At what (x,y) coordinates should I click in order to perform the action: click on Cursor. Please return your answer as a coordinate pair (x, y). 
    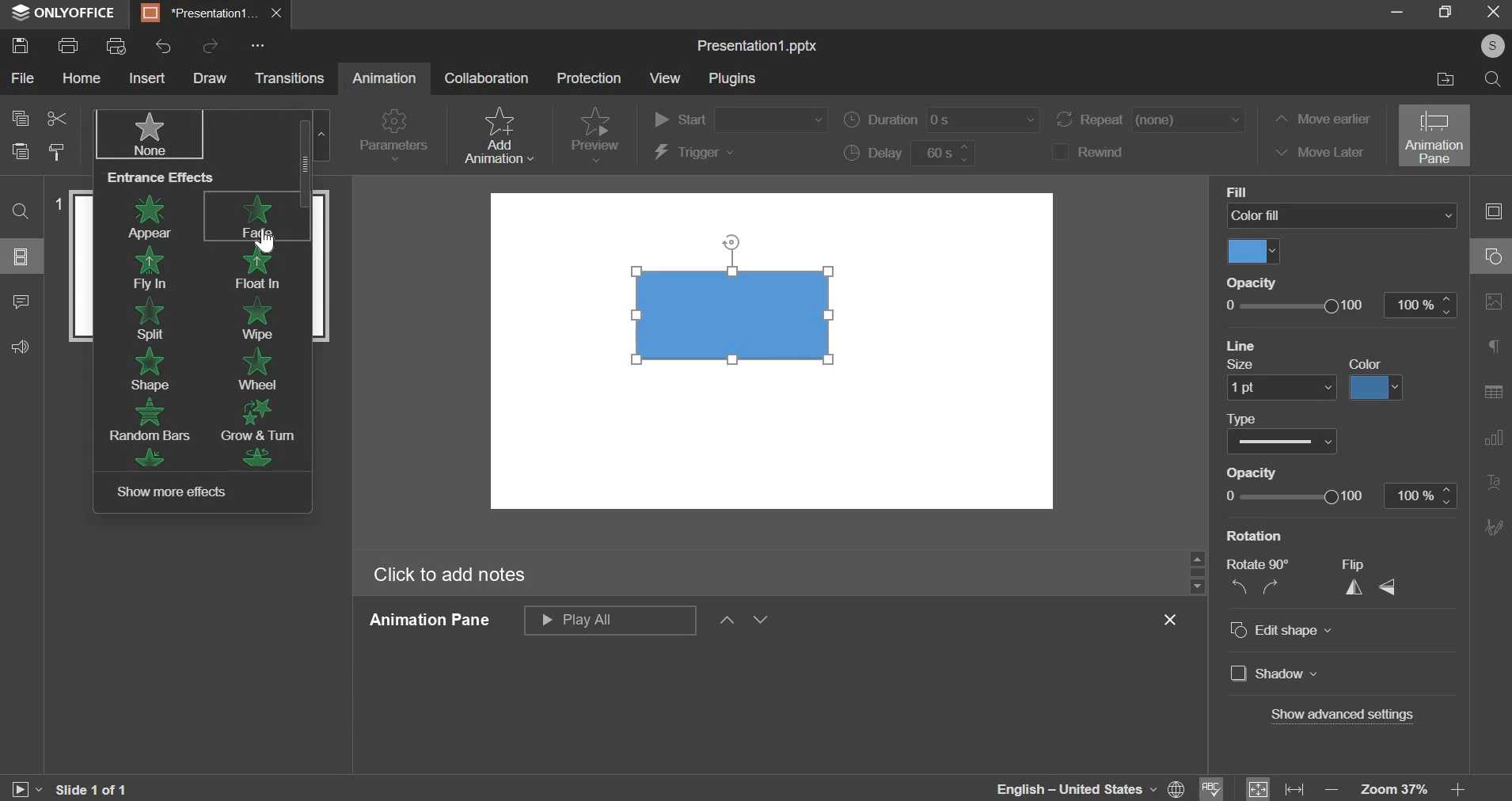
    Looking at the image, I should click on (269, 241).